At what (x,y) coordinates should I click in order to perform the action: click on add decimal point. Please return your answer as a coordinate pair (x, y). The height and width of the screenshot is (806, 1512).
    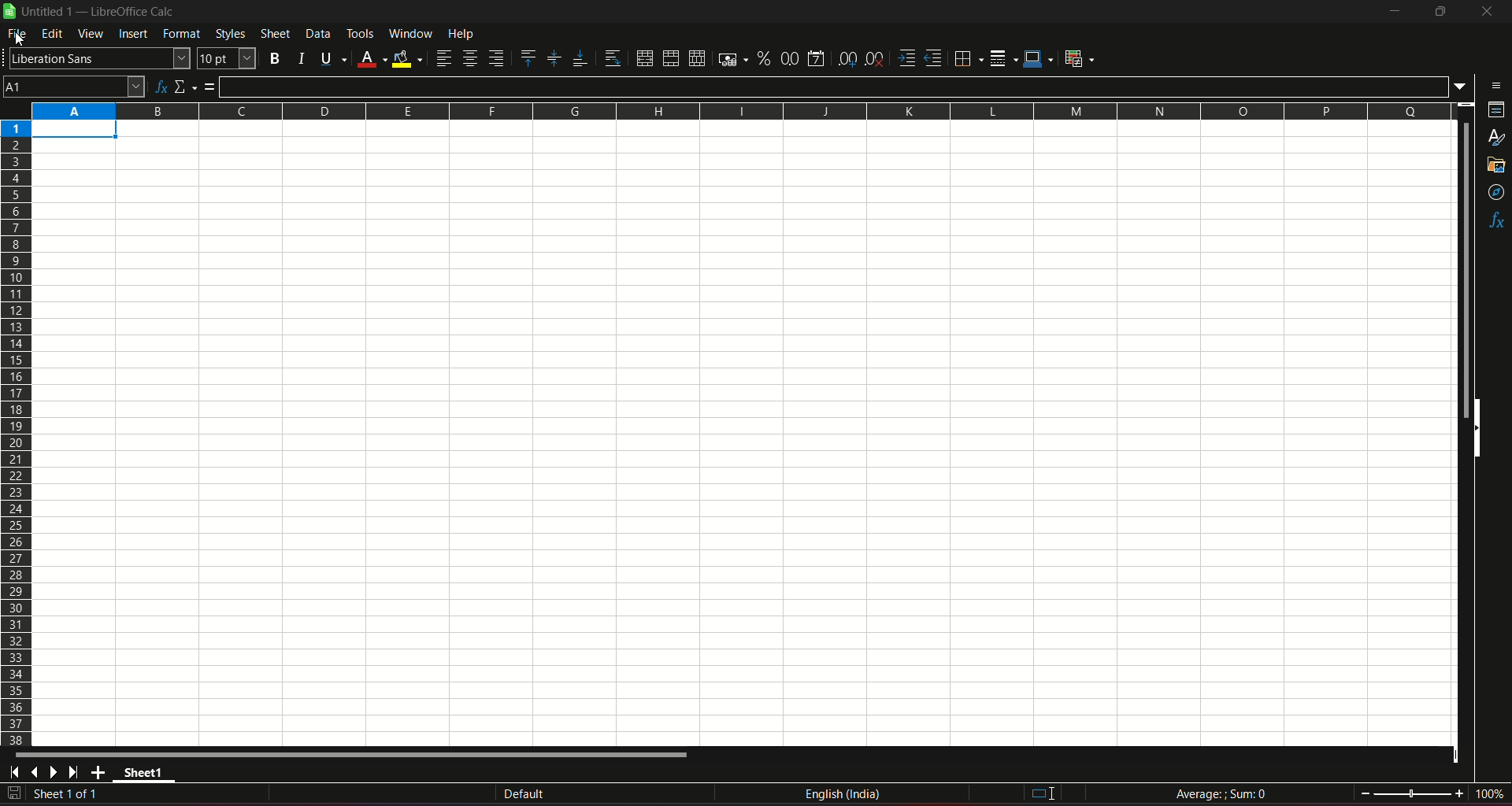
    Looking at the image, I should click on (849, 59).